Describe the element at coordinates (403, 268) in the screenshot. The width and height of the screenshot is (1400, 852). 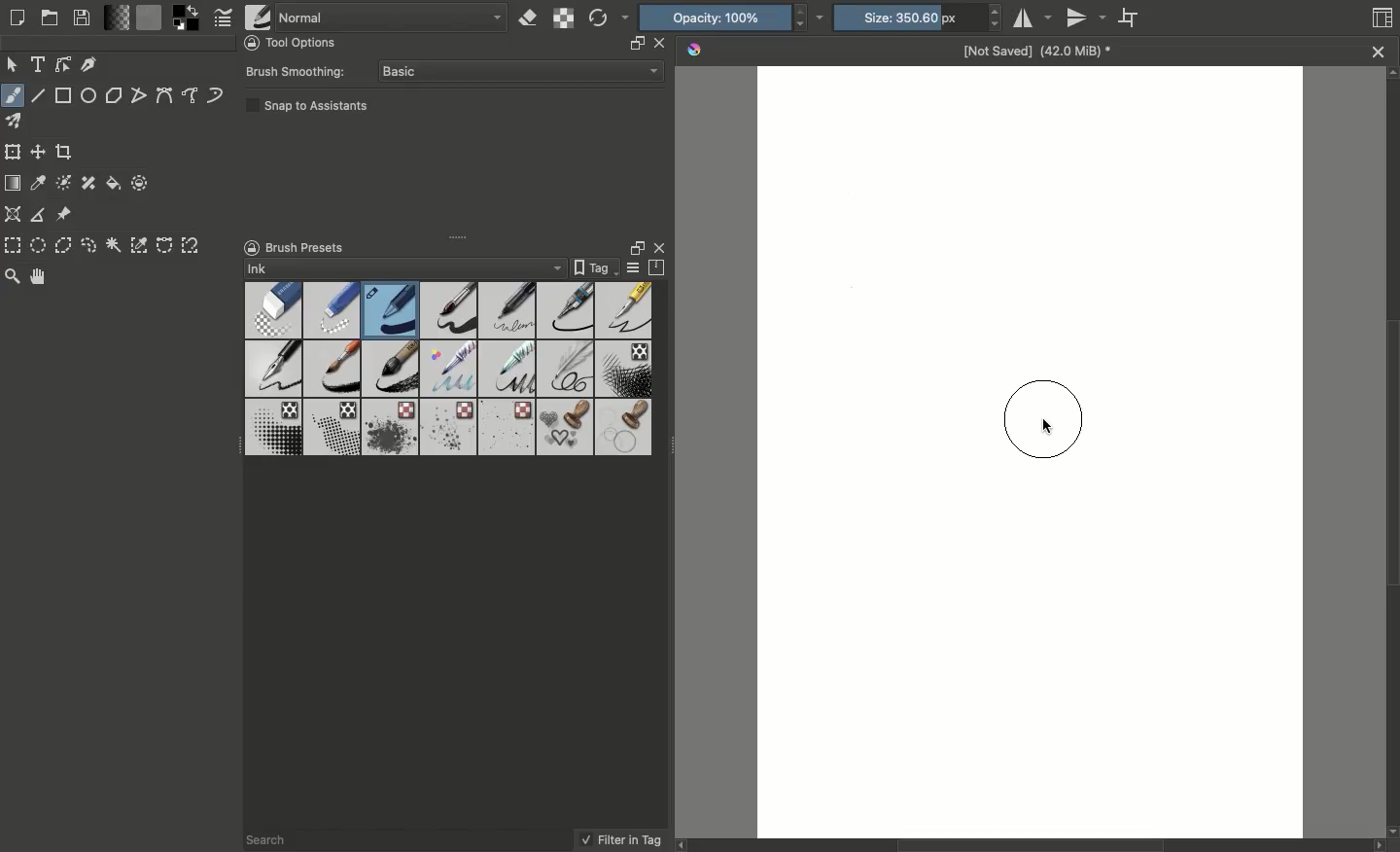
I see `Ink` at that location.